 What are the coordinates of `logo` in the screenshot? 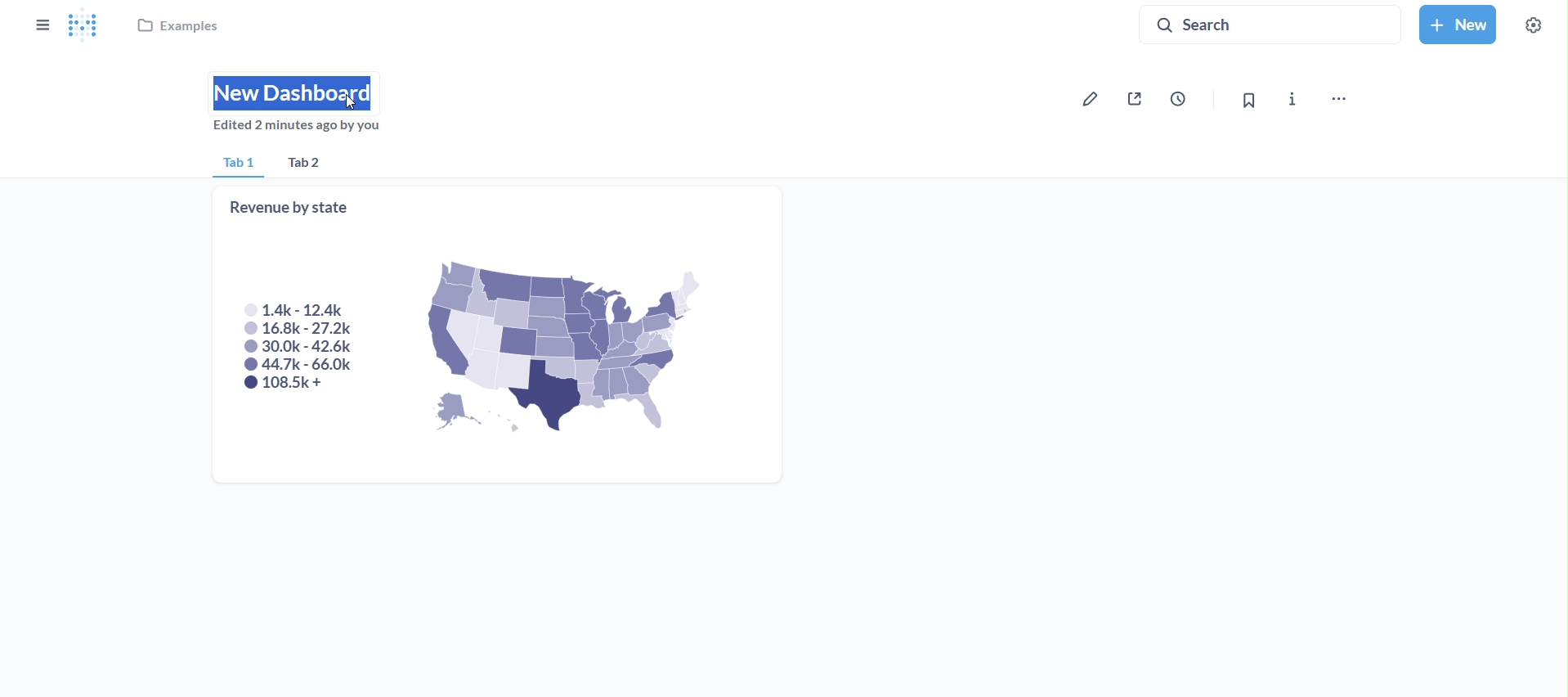 It's located at (87, 26).